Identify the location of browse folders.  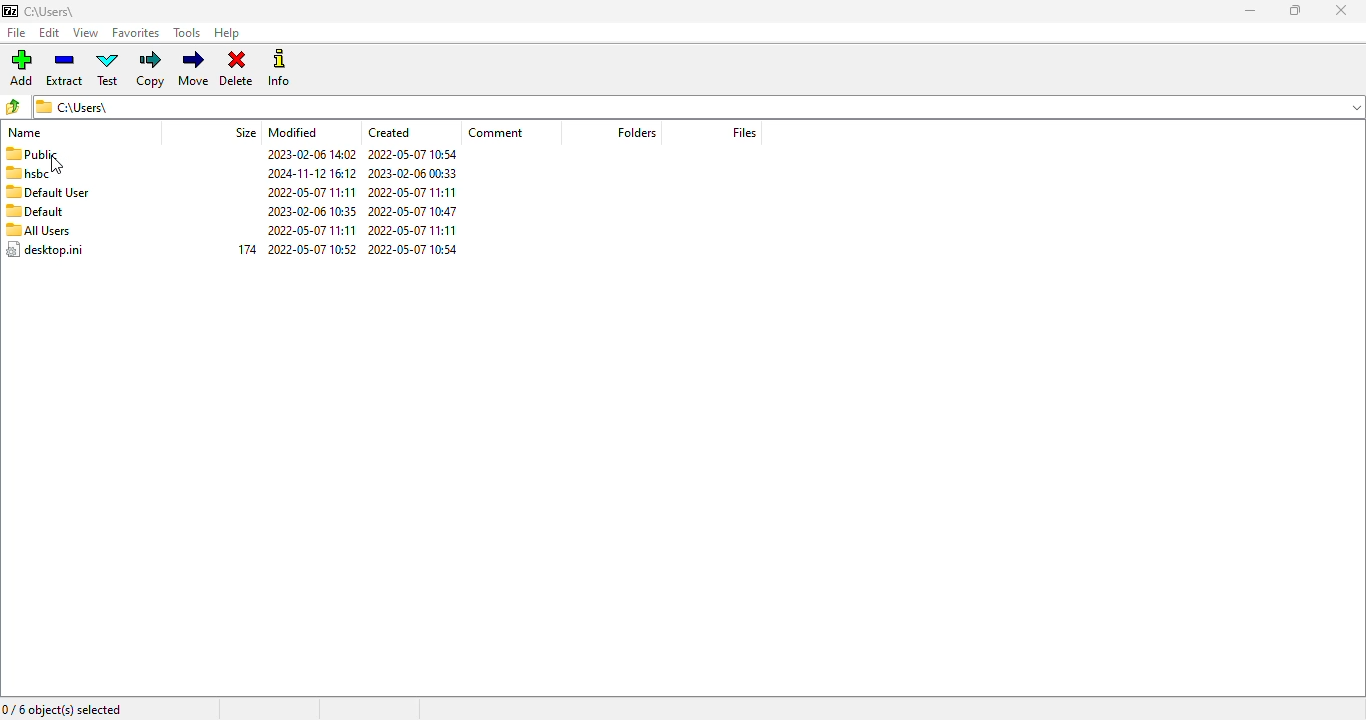
(11, 106).